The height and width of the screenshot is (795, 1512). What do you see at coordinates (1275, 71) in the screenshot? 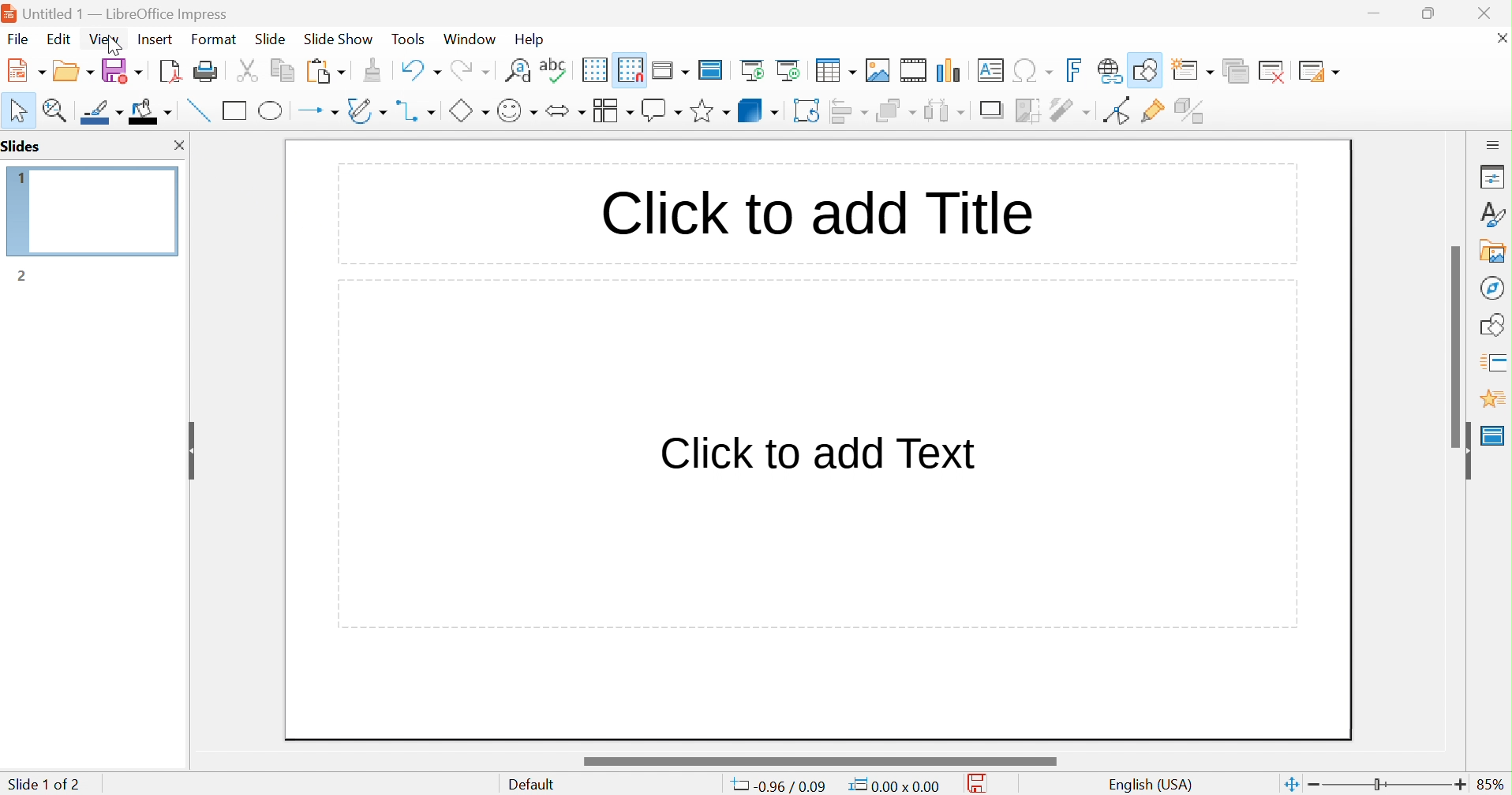
I see `delete slide` at bounding box center [1275, 71].